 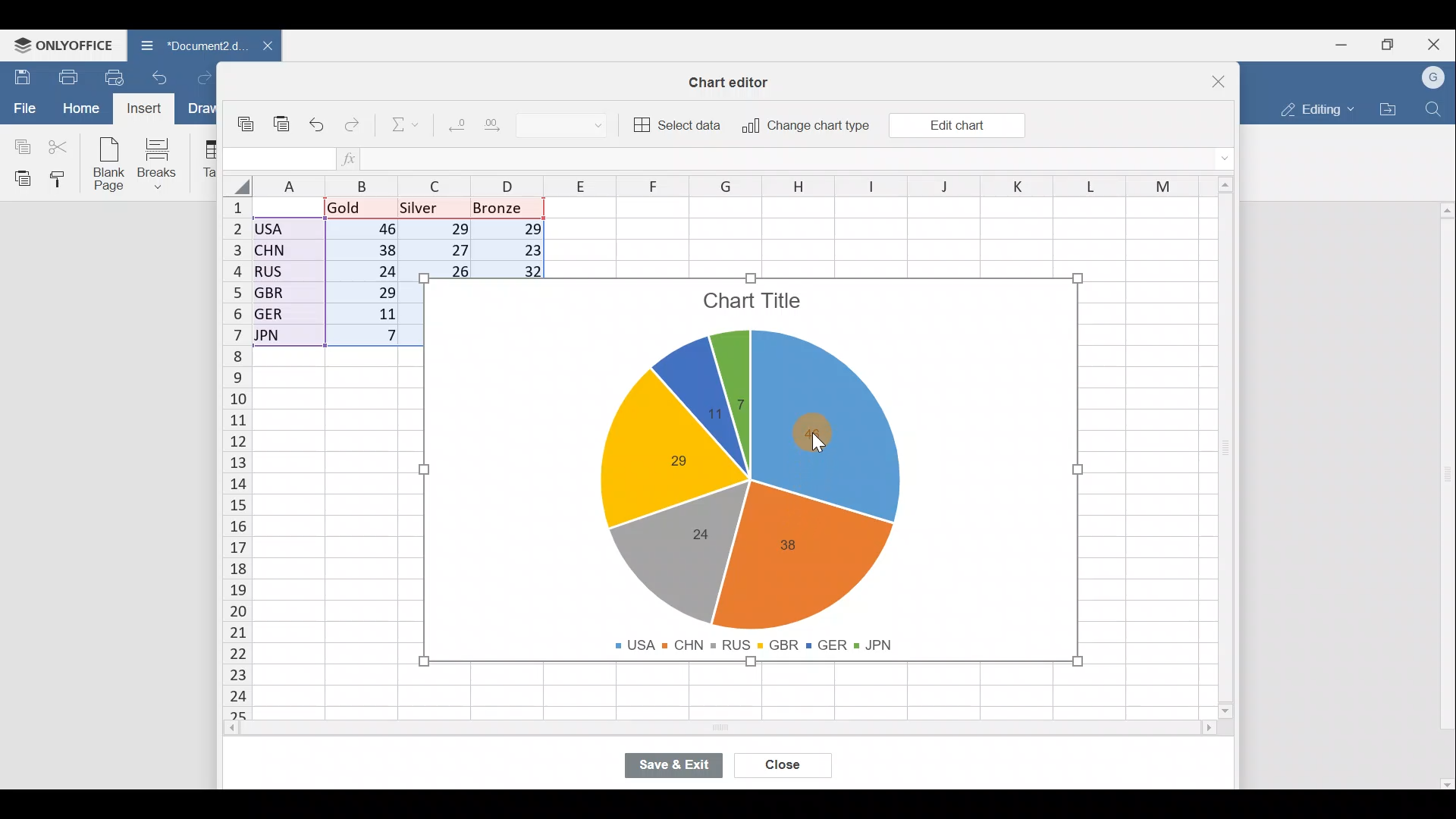 I want to click on Open file location, so click(x=1388, y=109).